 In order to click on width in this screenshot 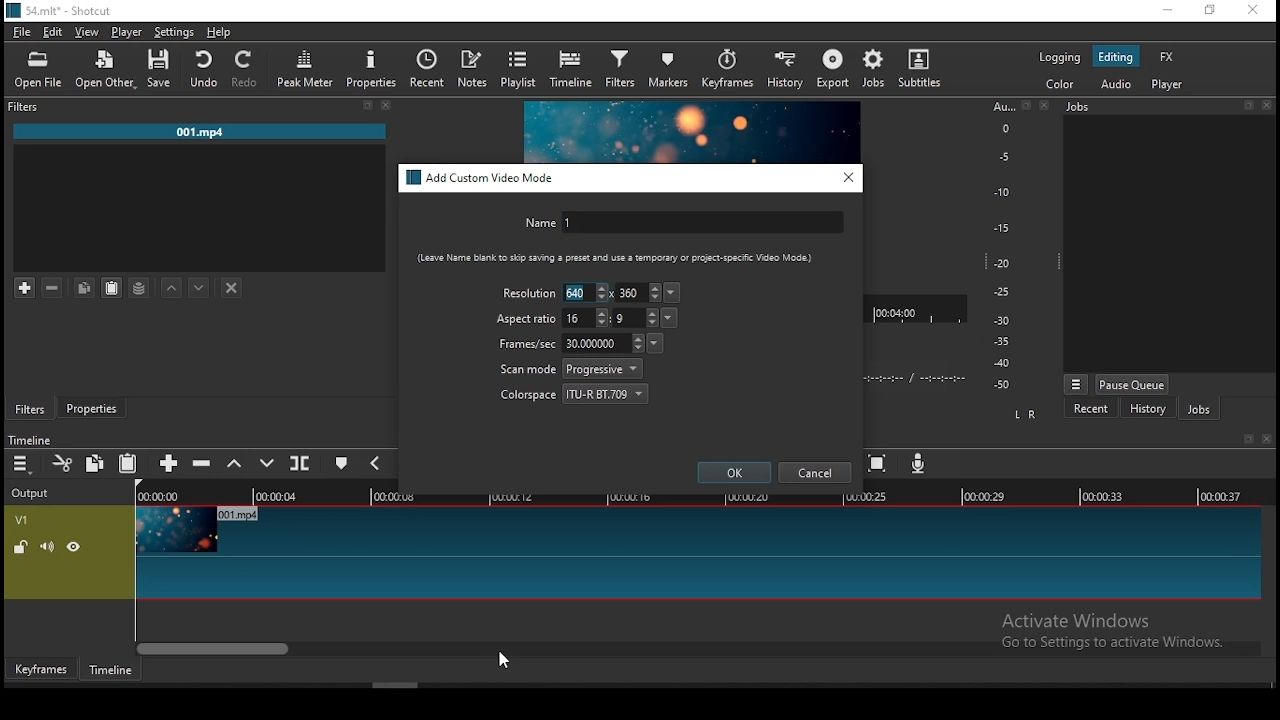, I will do `click(586, 292)`.